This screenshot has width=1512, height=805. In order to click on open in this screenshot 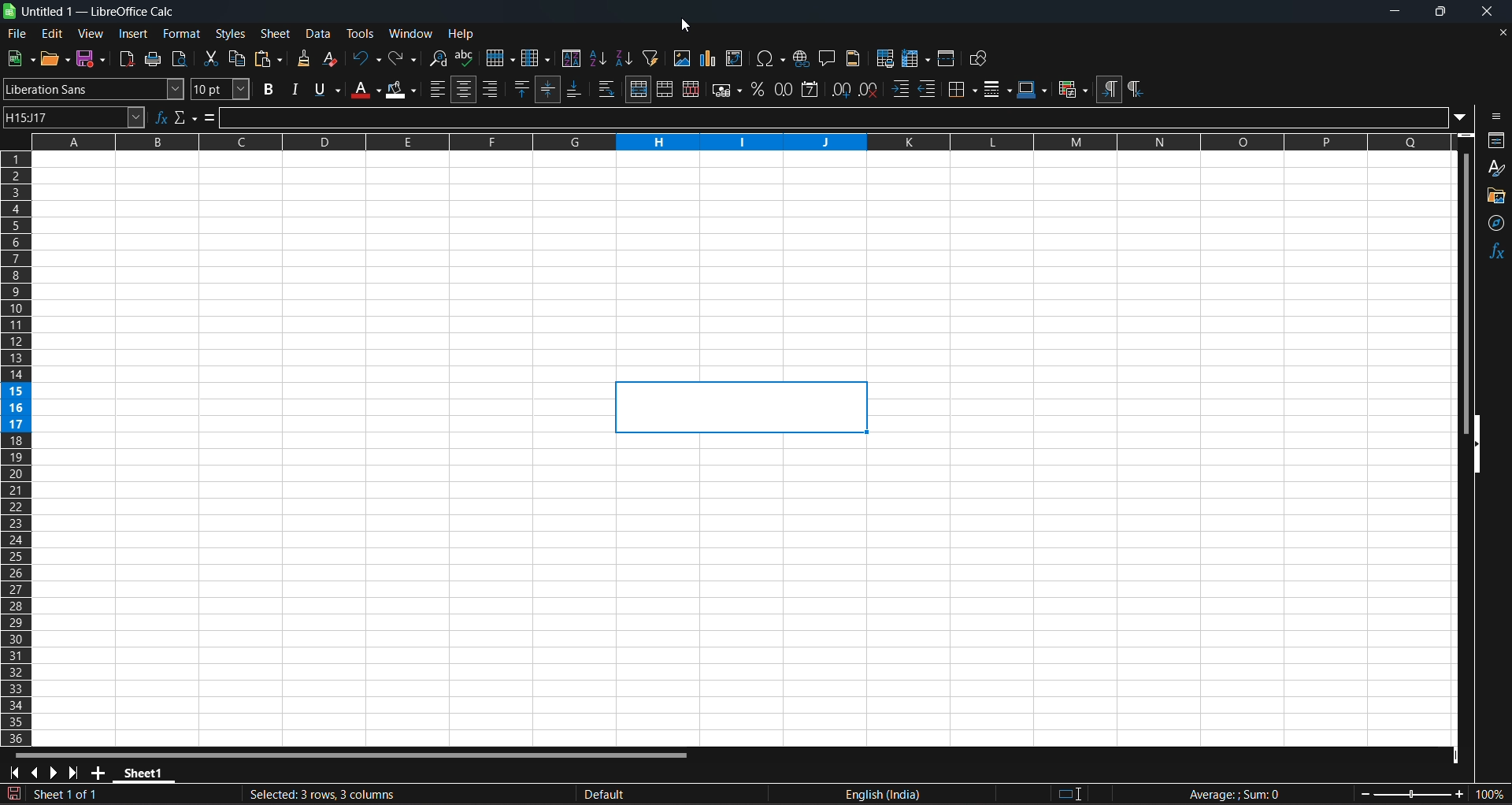, I will do `click(57, 58)`.